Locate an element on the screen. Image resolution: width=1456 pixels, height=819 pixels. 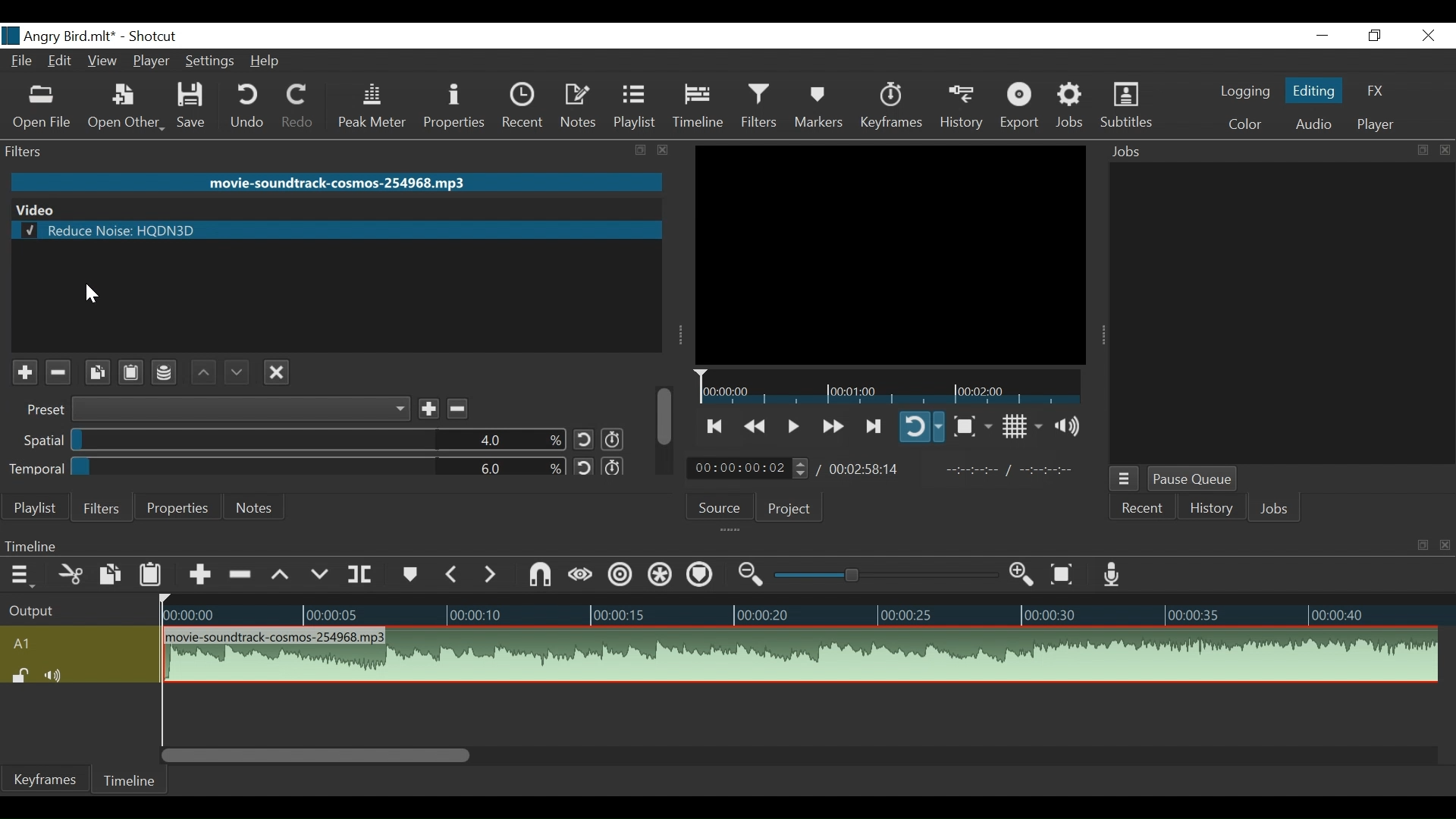
Filters is located at coordinates (759, 106).